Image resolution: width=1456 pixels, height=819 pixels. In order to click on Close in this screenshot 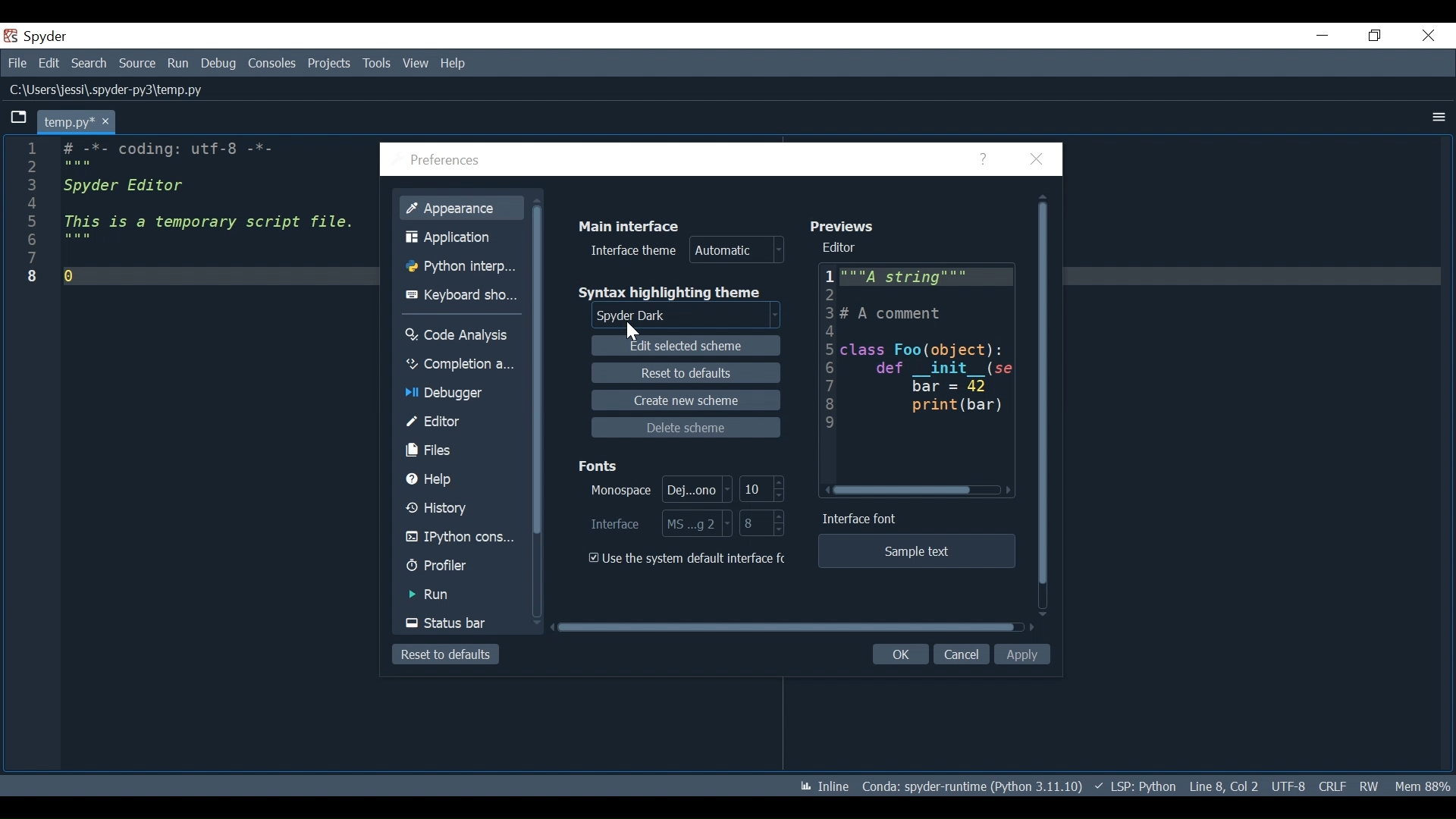, I will do `click(1038, 160)`.